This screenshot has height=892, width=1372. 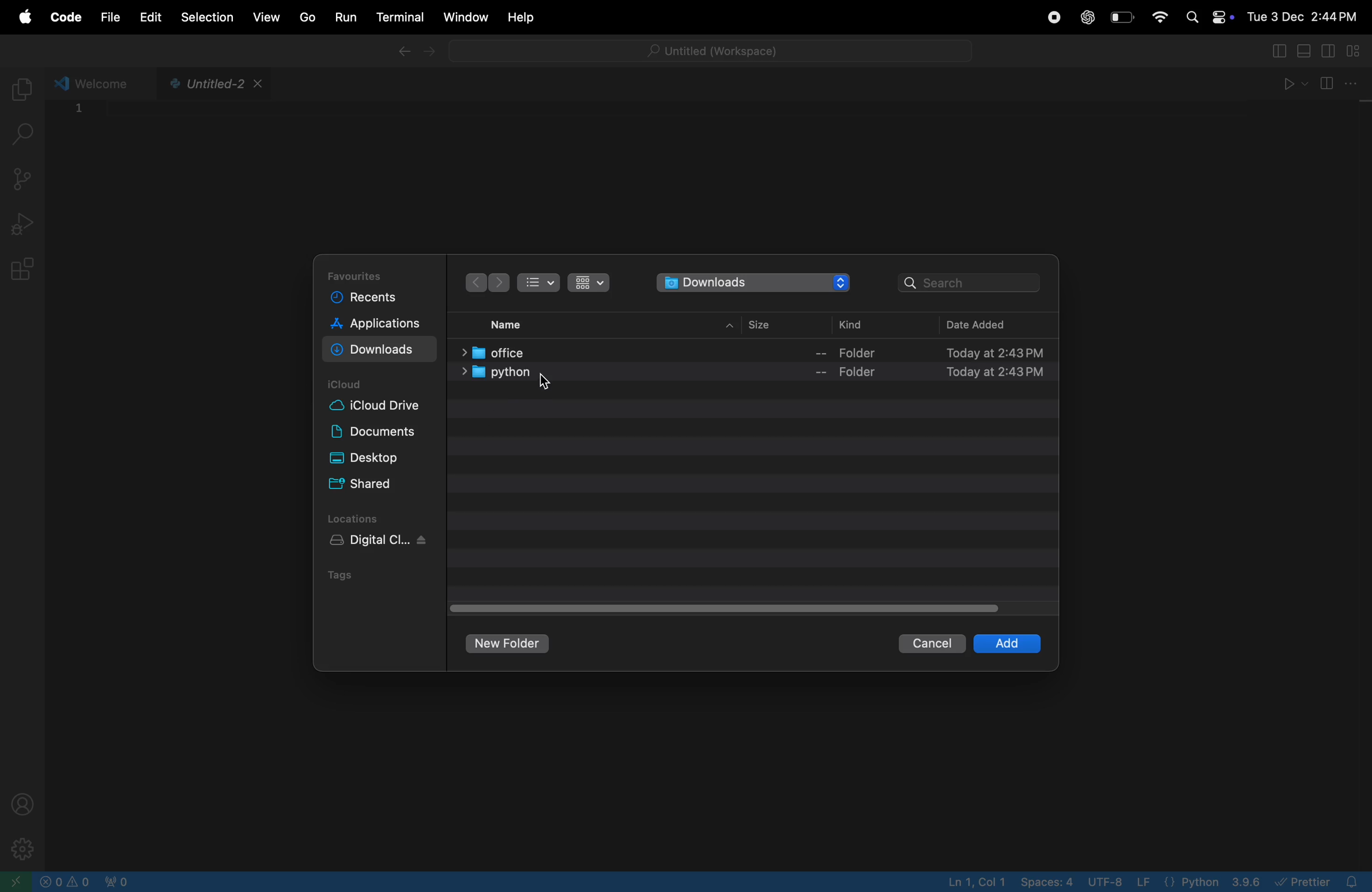 What do you see at coordinates (1121, 882) in the screenshot?
I see `utf 8` at bounding box center [1121, 882].